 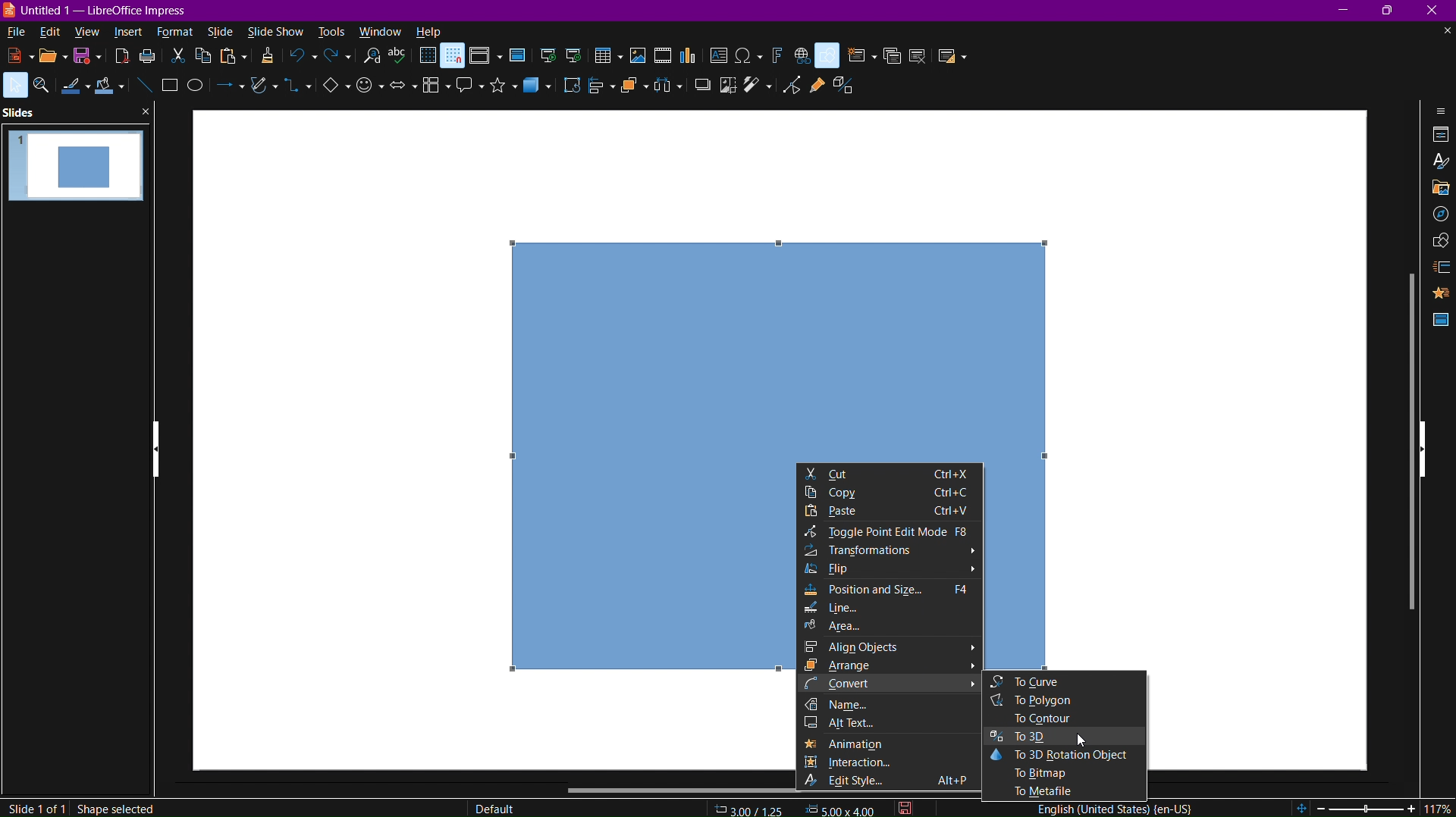 What do you see at coordinates (1437, 242) in the screenshot?
I see `Shapes` at bounding box center [1437, 242].